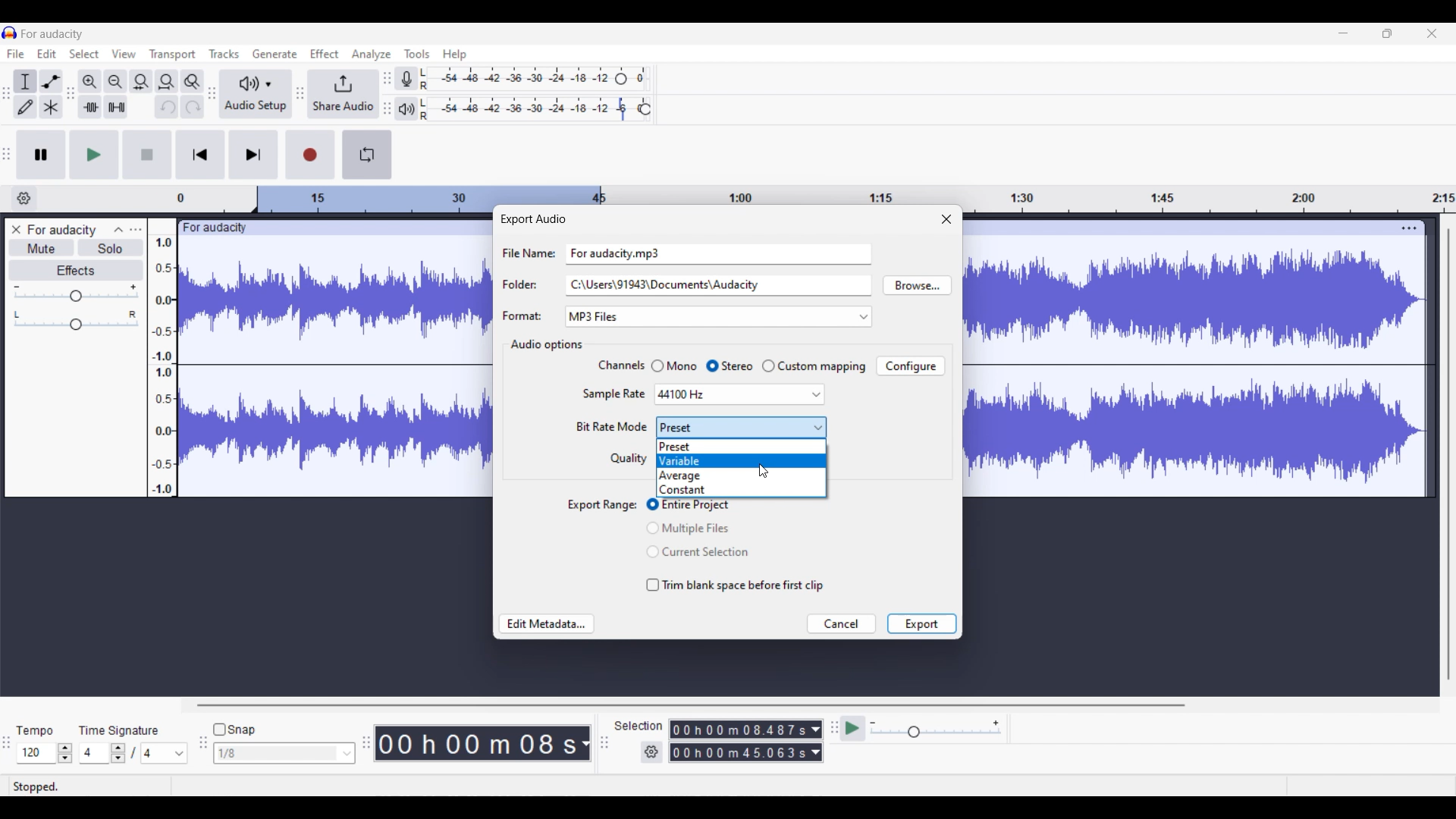 This screenshot has width=1456, height=819. What do you see at coordinates (200, 154) in the screenshot?
I see `Skip/Select to start` at bounding box center [200, 154].